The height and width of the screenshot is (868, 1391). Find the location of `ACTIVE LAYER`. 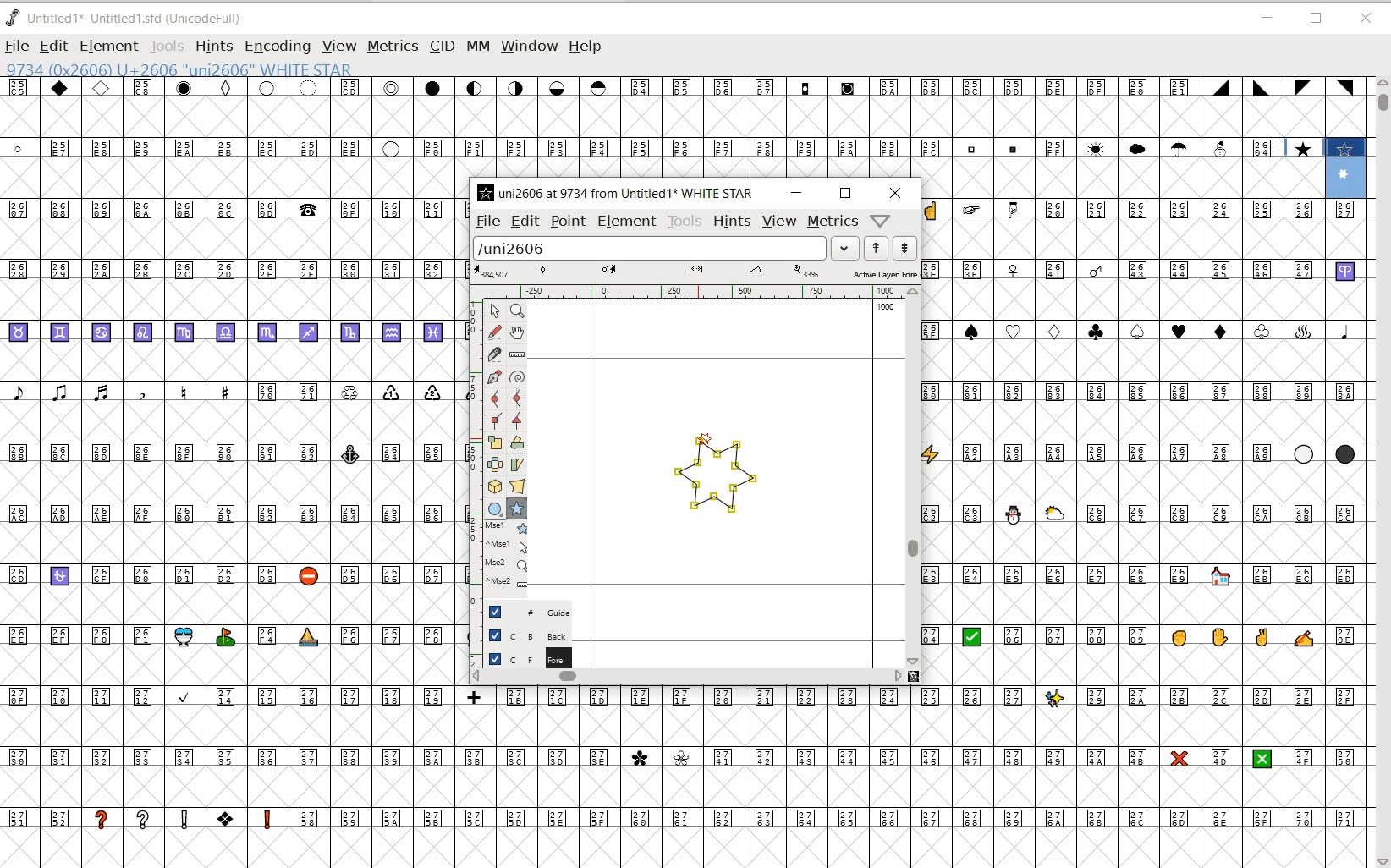

ACTIVE LAYER is located at coordinates (695, 272).